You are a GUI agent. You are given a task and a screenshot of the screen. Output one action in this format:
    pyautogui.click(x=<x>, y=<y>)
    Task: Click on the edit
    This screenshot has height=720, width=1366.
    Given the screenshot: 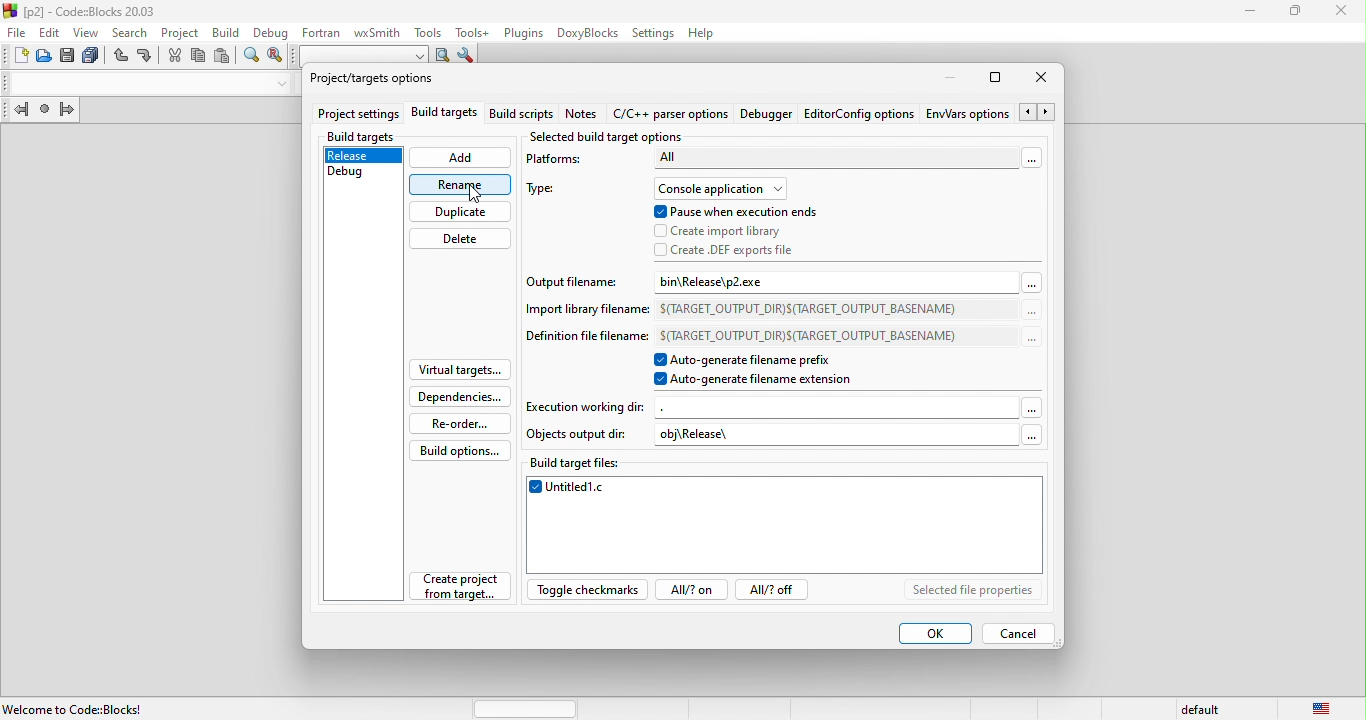 What is the action you would take?
    pyautogui.click(x=50, y=32)
    